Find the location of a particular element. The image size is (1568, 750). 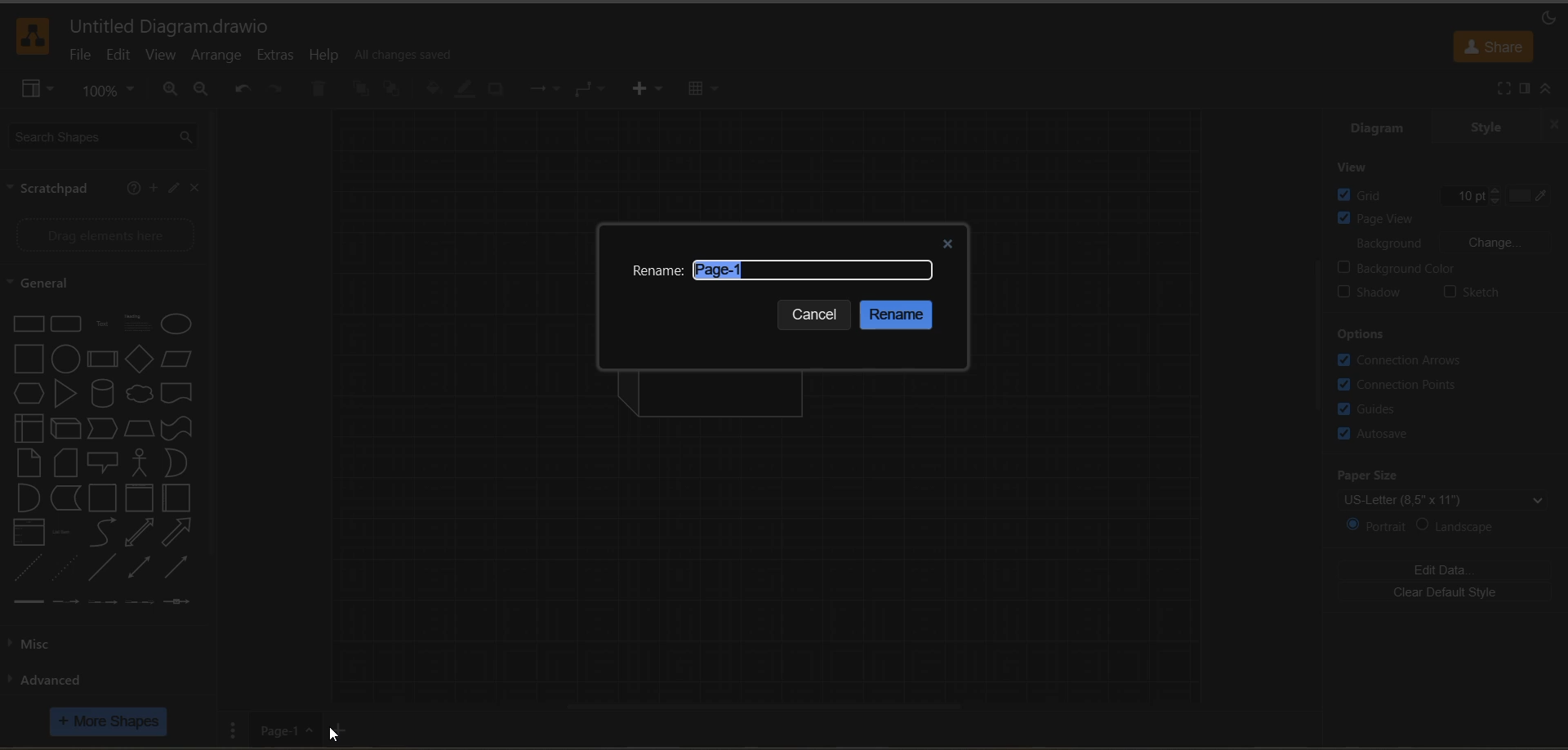

horizontal scroll bar is located at coordinates (768, 705).